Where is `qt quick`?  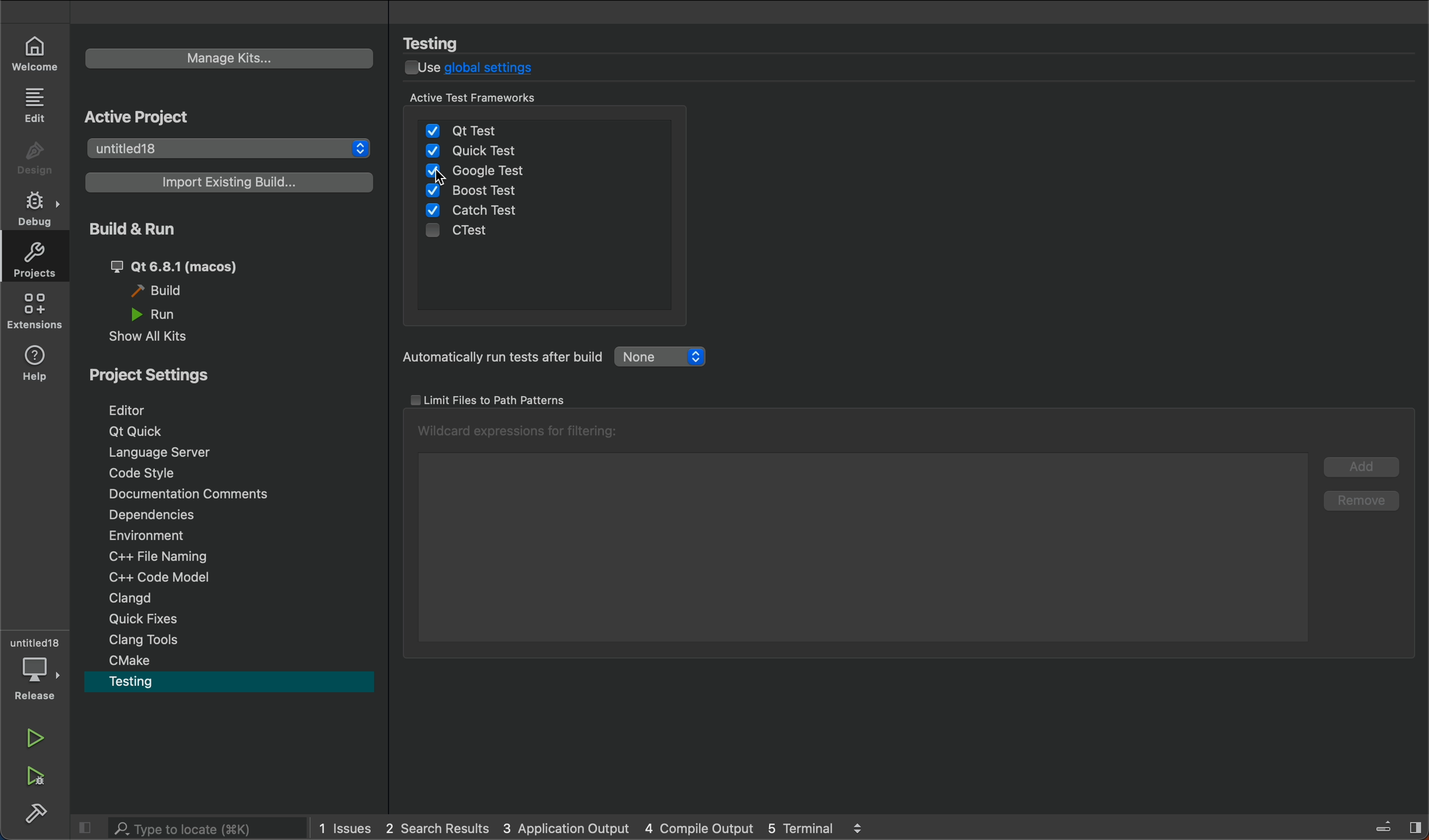
qt quick is located at coordinates (223, 432).